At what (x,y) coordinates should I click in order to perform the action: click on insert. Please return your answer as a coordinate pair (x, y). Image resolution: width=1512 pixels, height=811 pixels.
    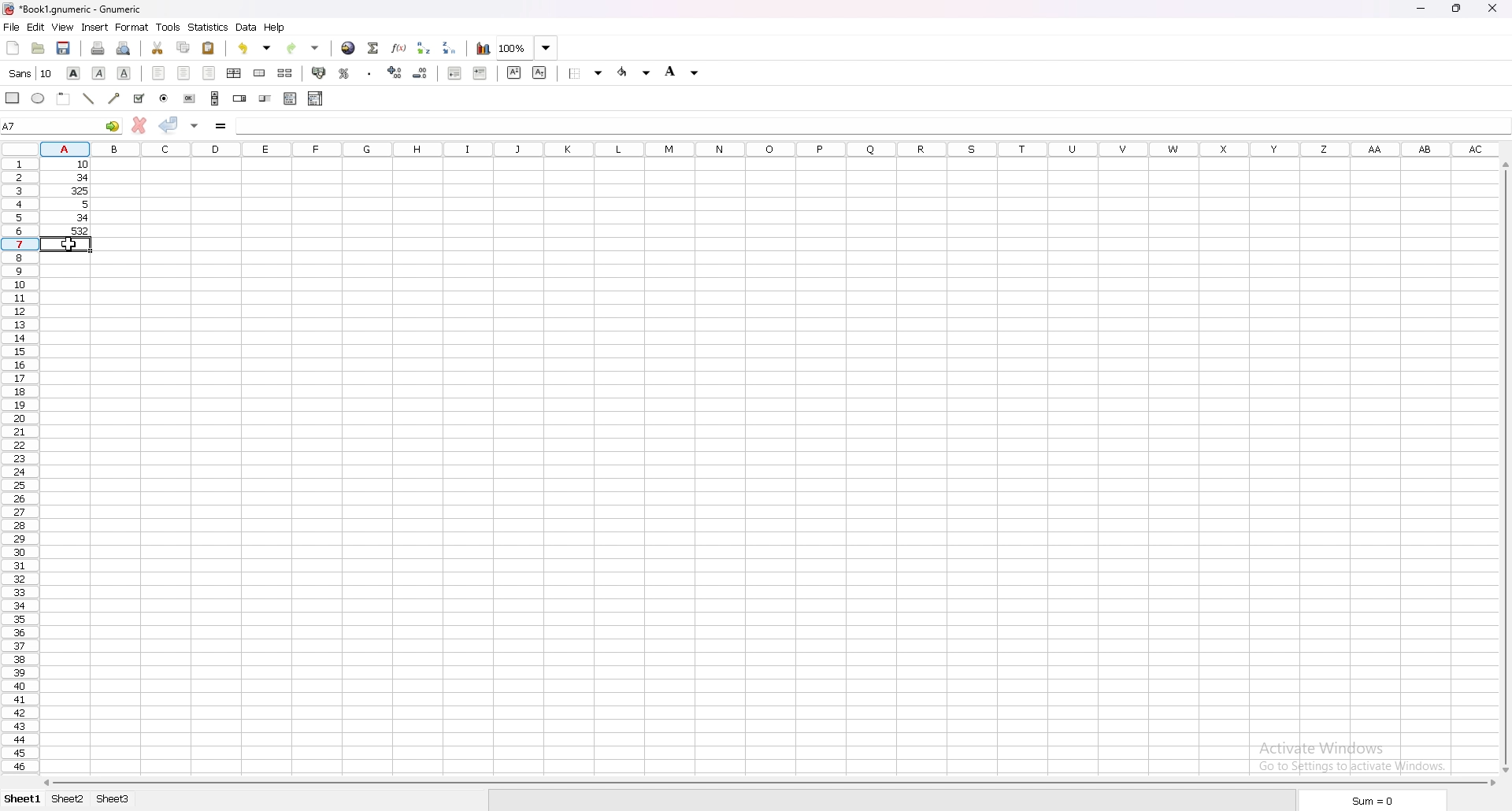
    Looking at the image, I should click on (94, 27).